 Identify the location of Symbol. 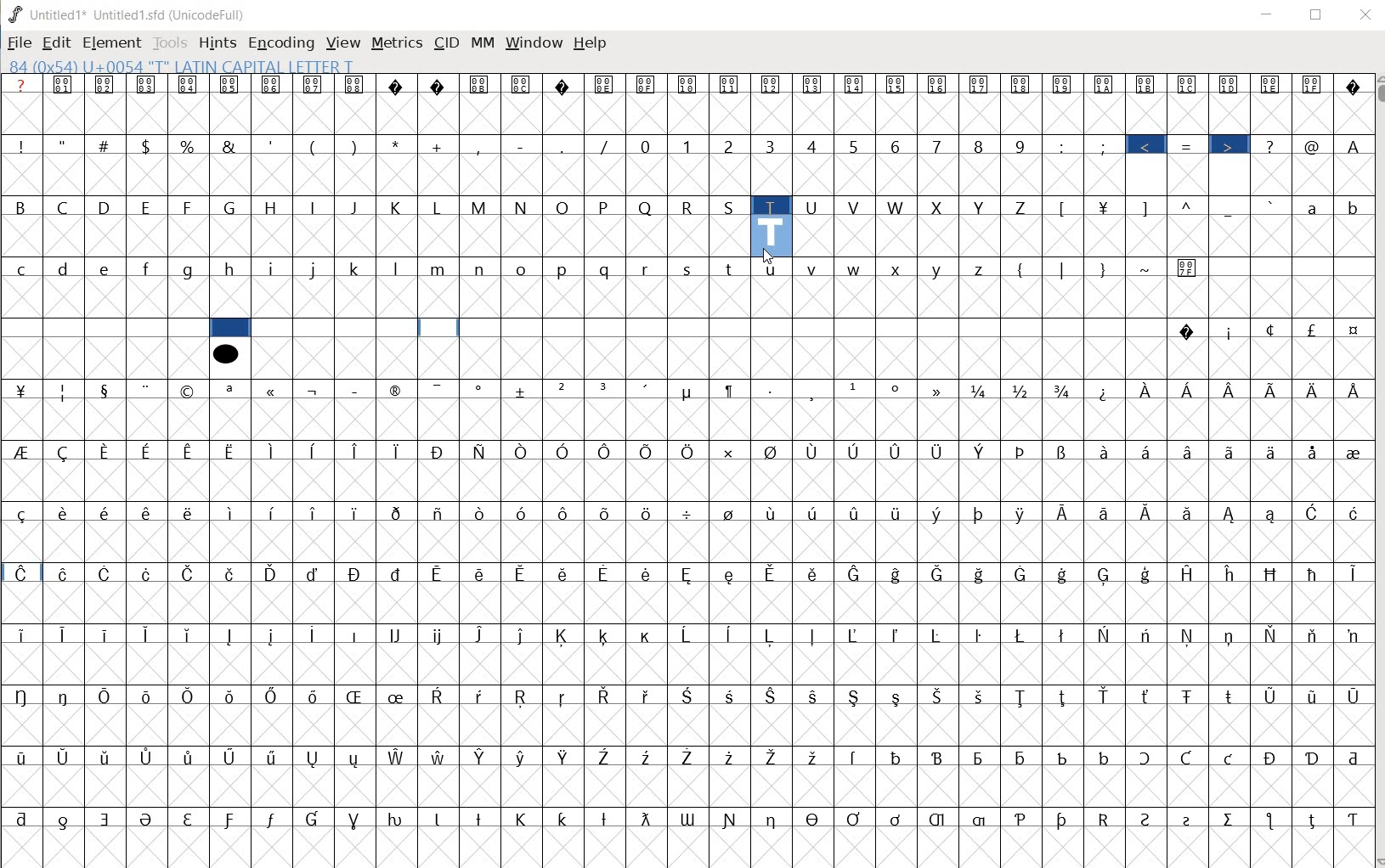
(814, 392).